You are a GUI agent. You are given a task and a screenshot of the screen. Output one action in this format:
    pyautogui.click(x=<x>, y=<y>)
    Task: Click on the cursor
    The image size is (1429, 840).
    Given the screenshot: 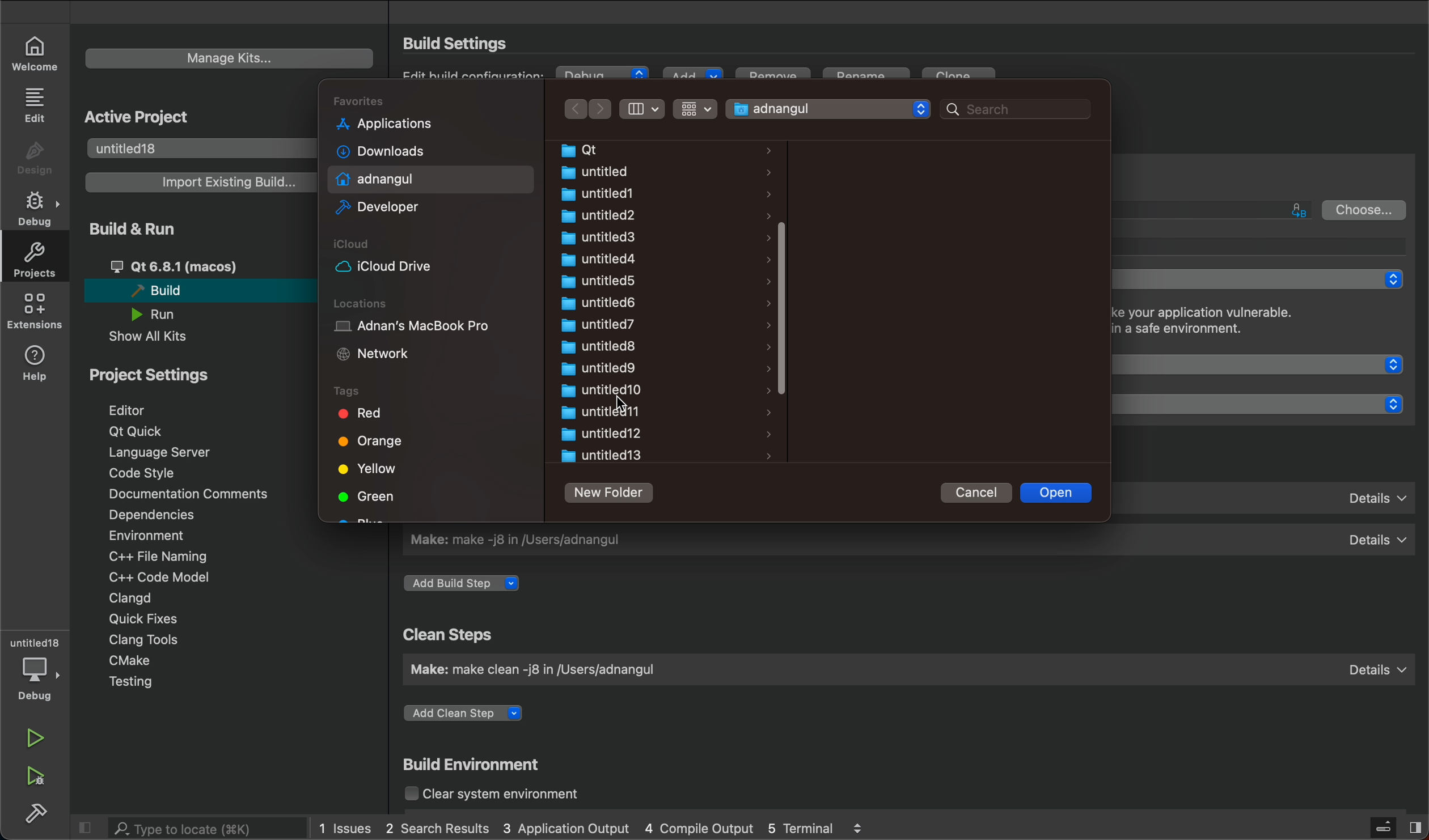 What is the action you would take?
    pyautogui.click(x=620, y=402)
    